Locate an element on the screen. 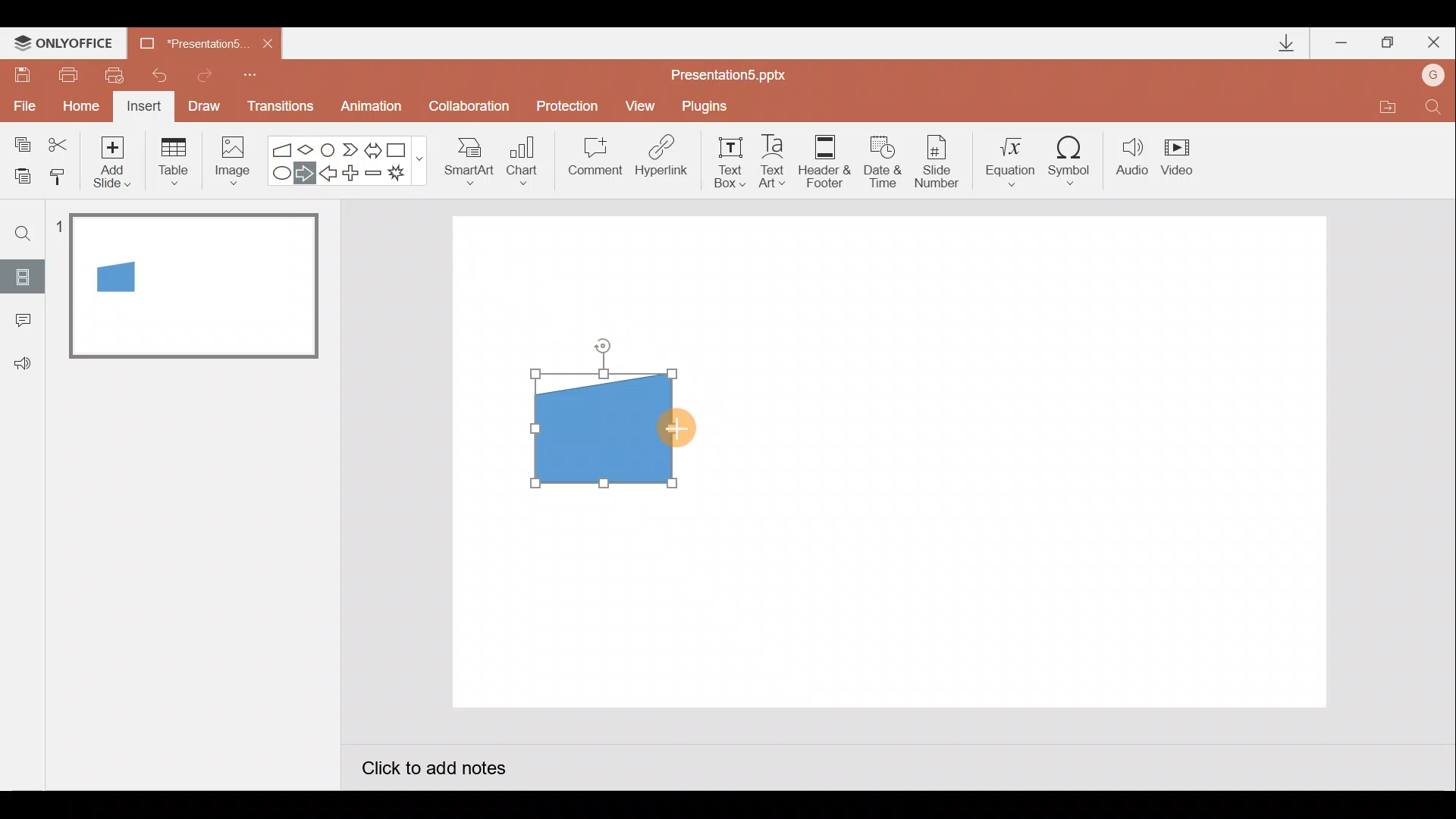 The height and width of the screenshot is (819, 1456). Downloads is located at coordinates (1284, 44).